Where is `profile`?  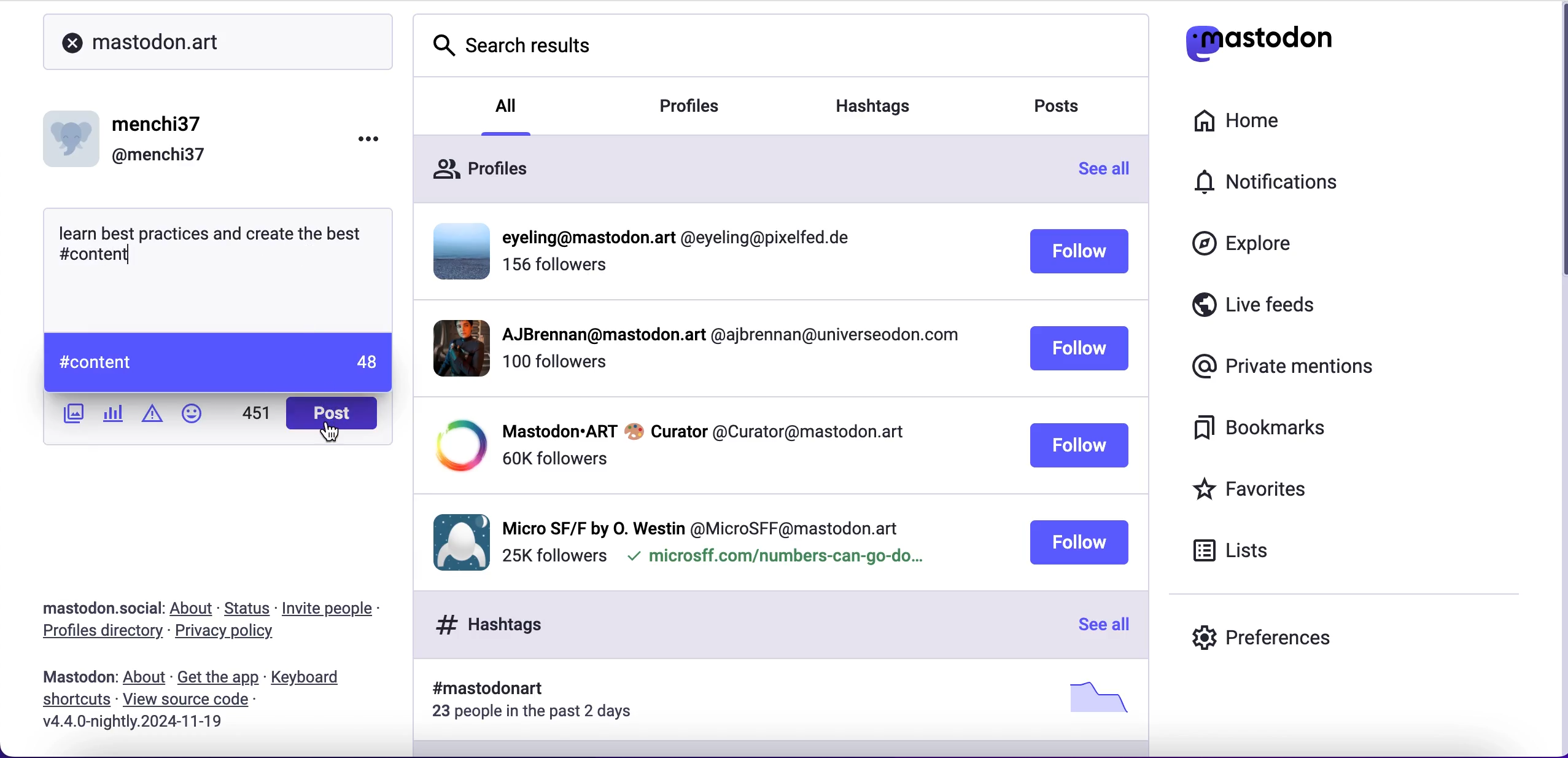 profile is located at coordinates (703, 430).